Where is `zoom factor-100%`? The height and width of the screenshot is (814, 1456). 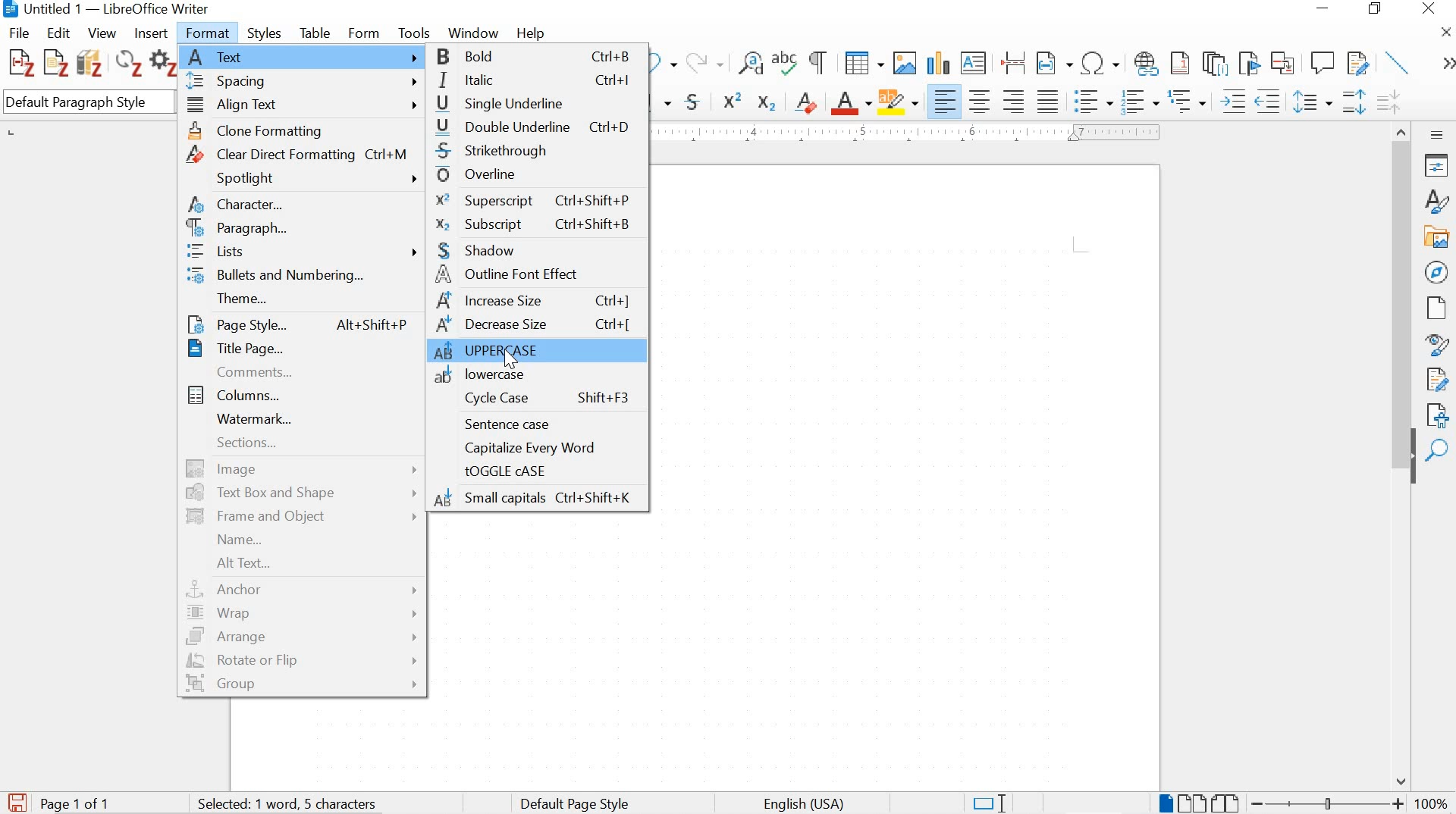 zoom factor-100% is located at coordinates (1432, 803).